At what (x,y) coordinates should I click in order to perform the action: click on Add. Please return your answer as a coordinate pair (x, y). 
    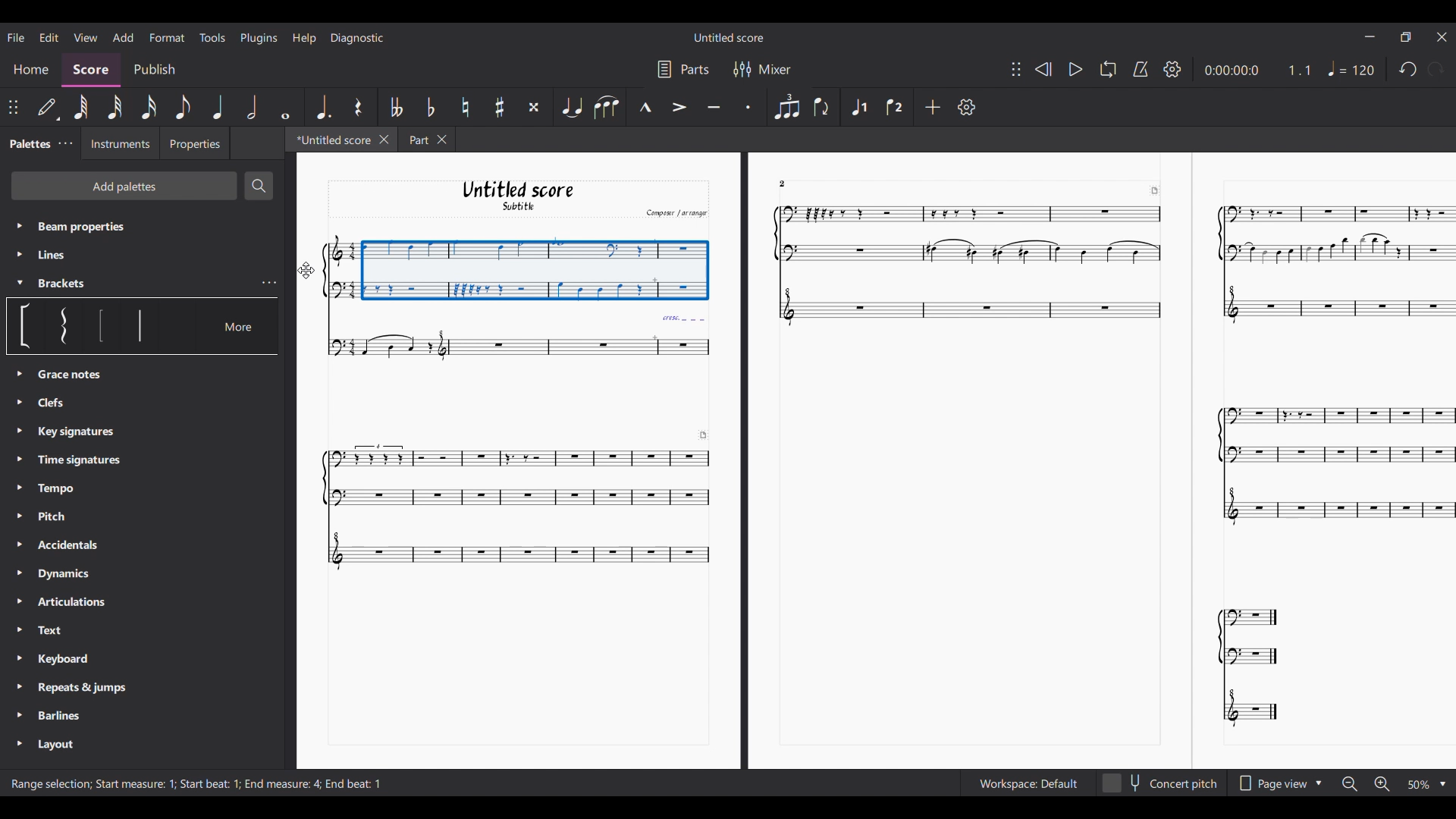
    Looking at the image, I should click on (123, 38).